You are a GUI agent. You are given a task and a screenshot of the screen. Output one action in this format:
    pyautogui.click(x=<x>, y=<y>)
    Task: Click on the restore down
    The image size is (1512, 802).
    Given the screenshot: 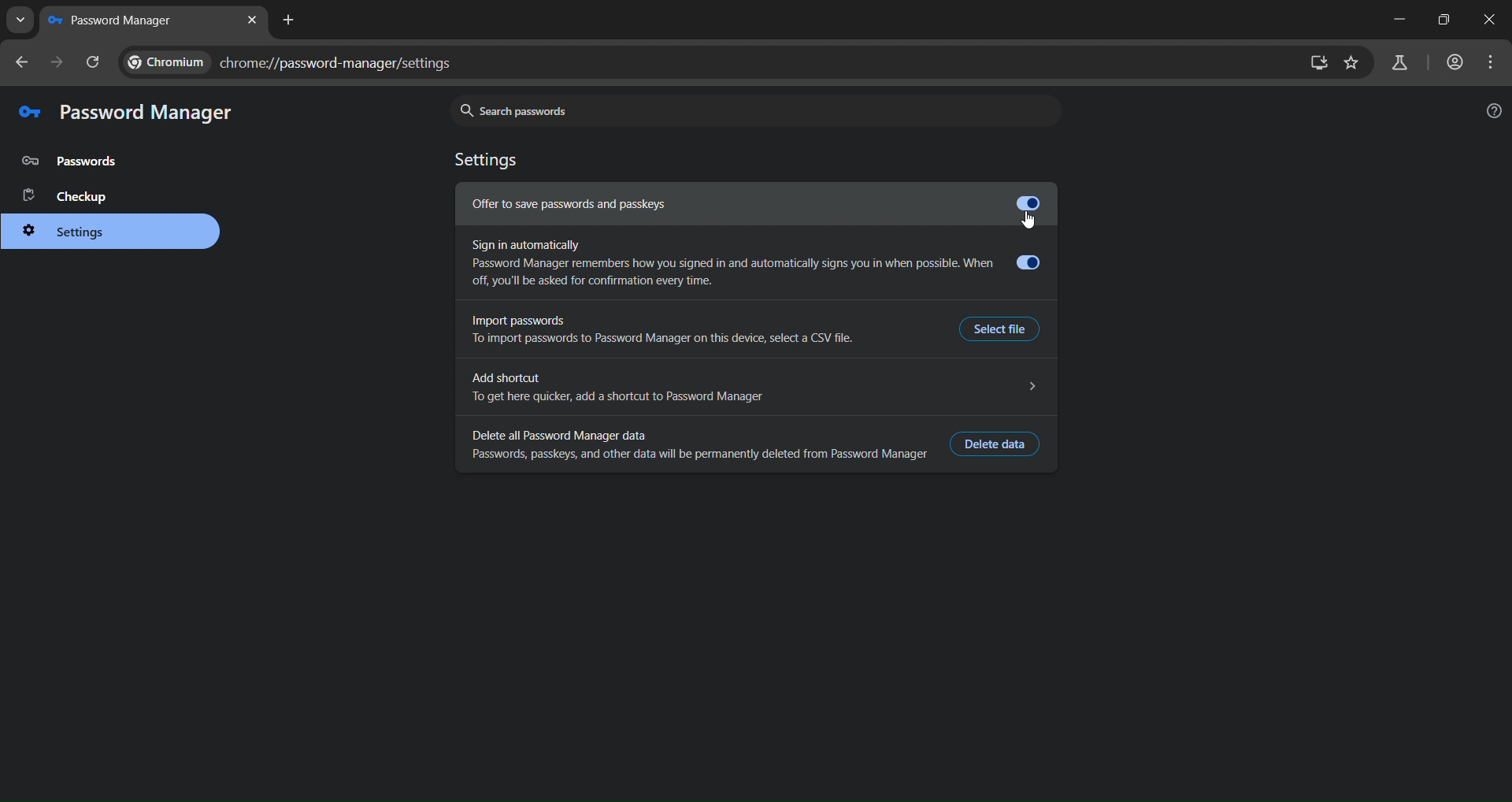 What is the action you would take?
    pyautogui.click(x=1443, y=20)
    